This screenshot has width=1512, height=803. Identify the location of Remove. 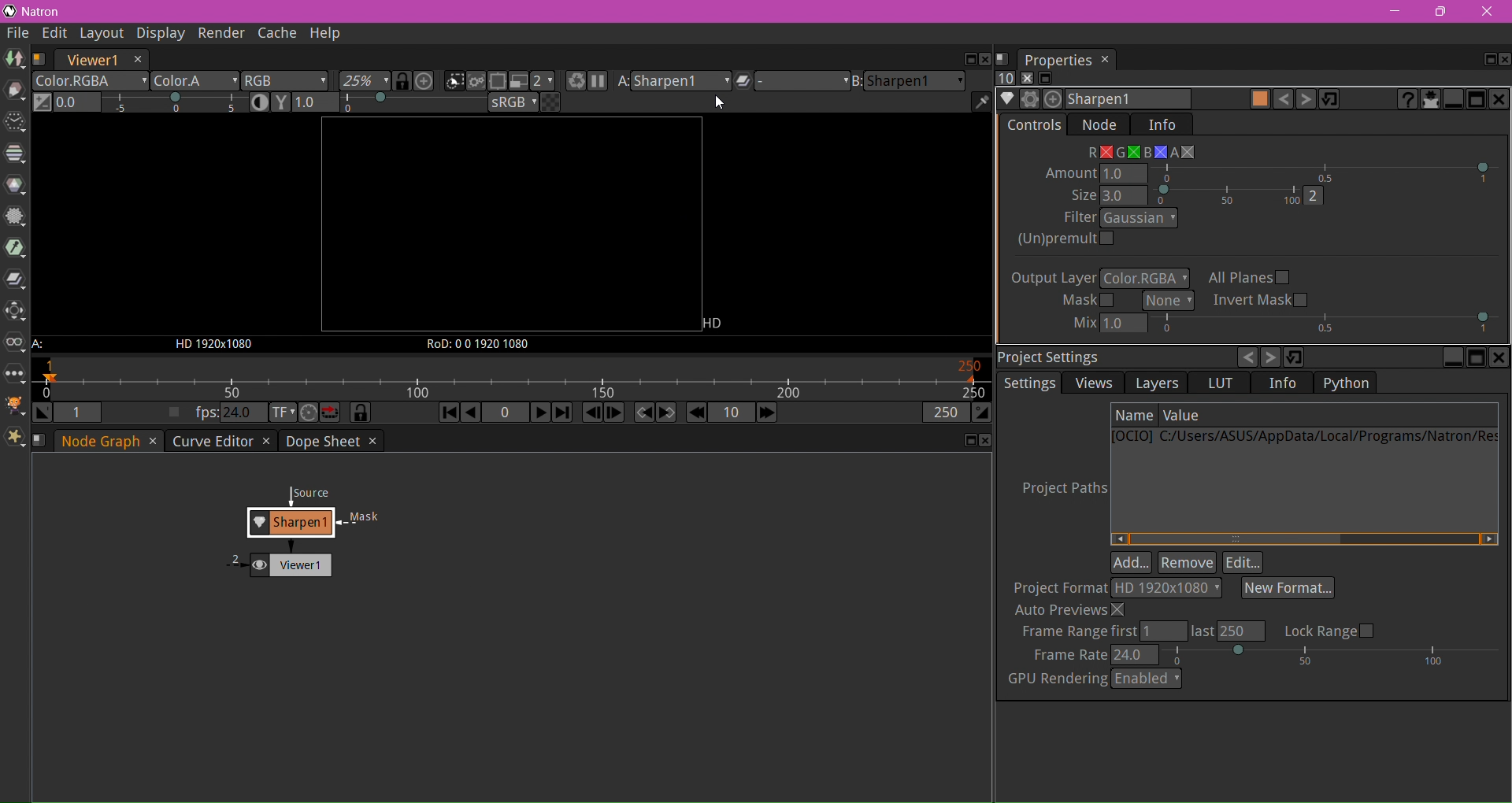
(1188, 562).